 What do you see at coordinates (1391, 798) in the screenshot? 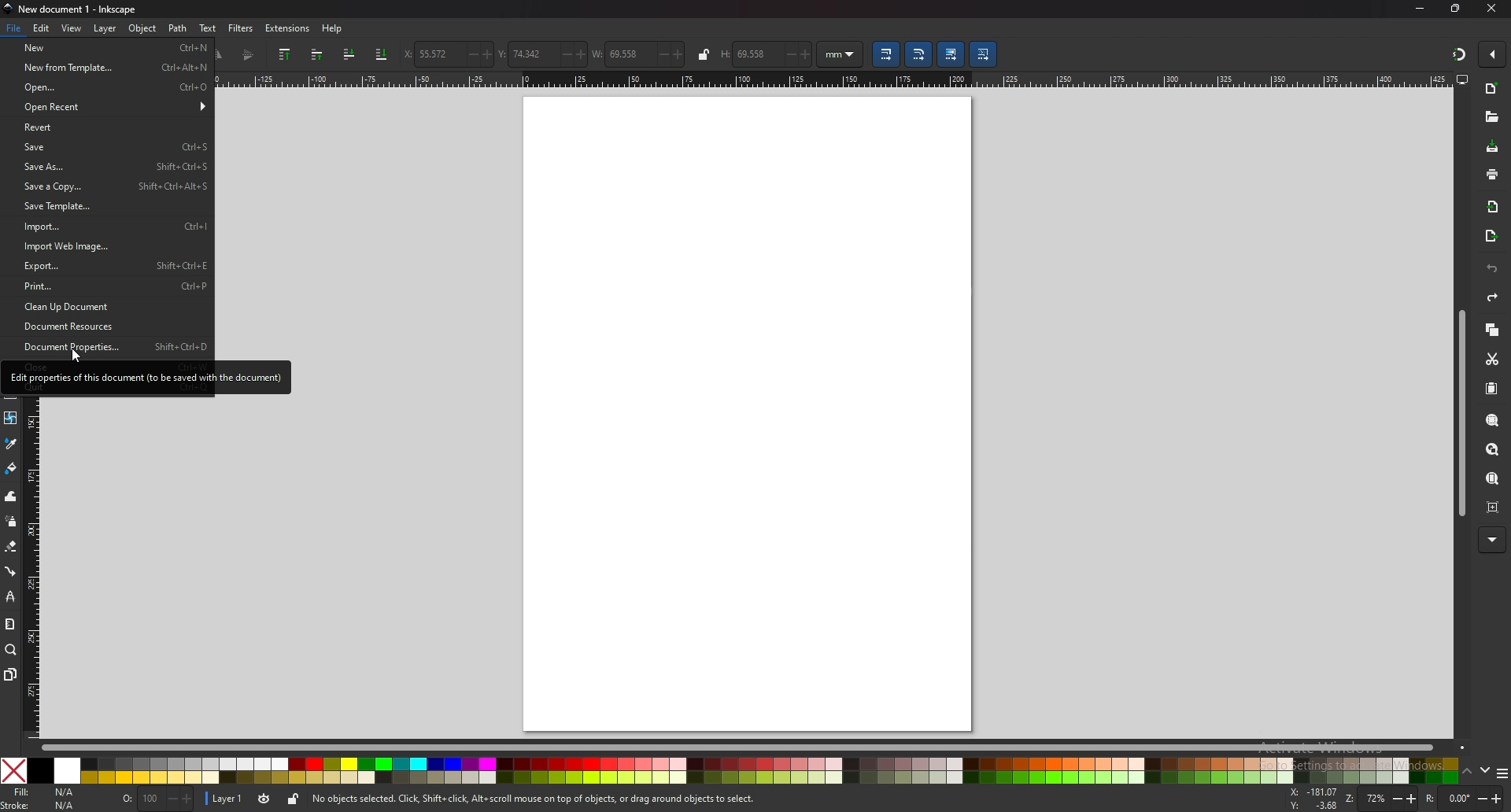
I see `-` at bounding box center [1391, 798].